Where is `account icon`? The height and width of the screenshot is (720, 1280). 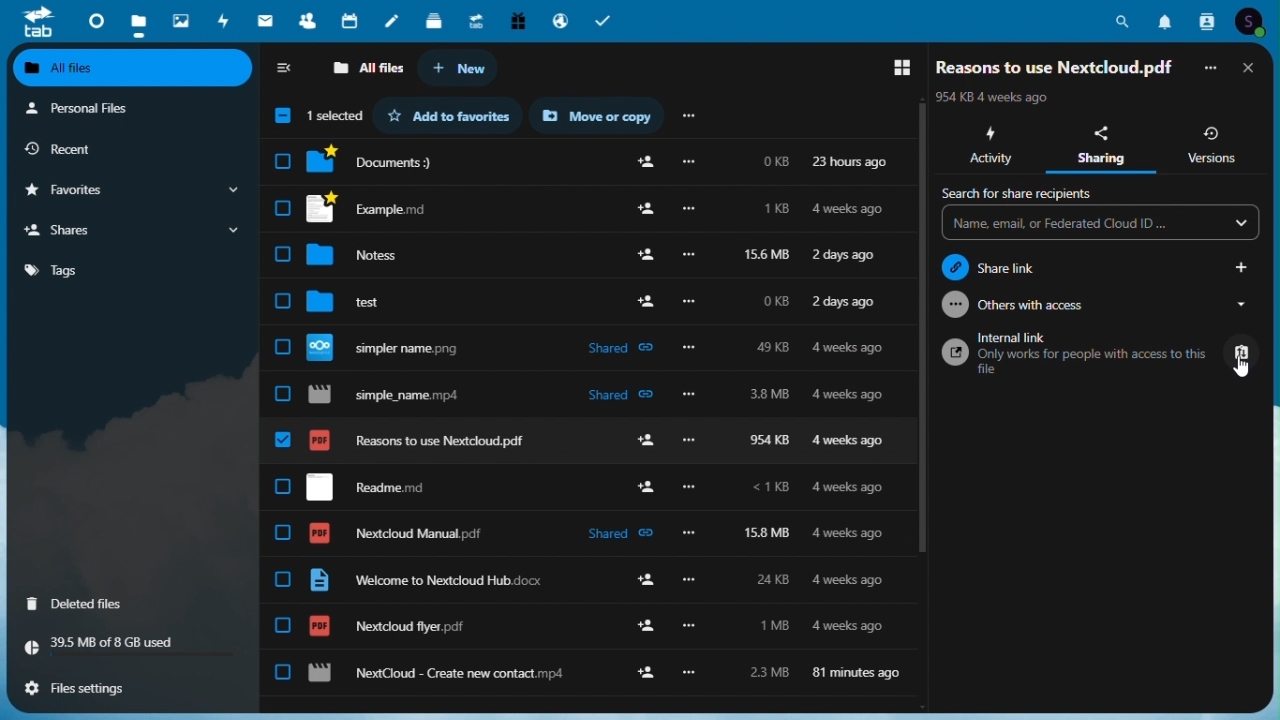
account icon is located at coordinates (1254, 21).